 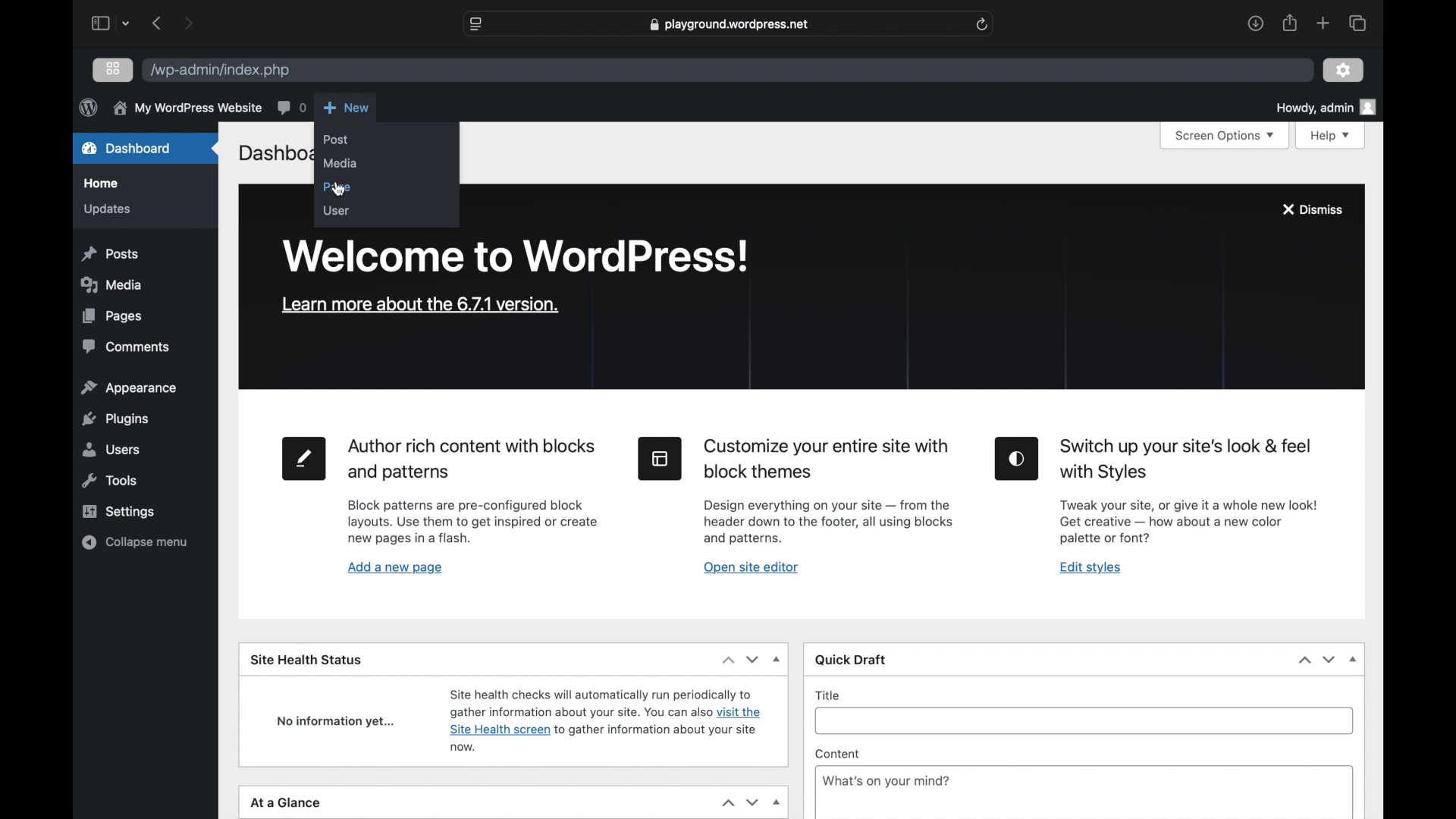 I want to click on user, so click(x=337, y=211).